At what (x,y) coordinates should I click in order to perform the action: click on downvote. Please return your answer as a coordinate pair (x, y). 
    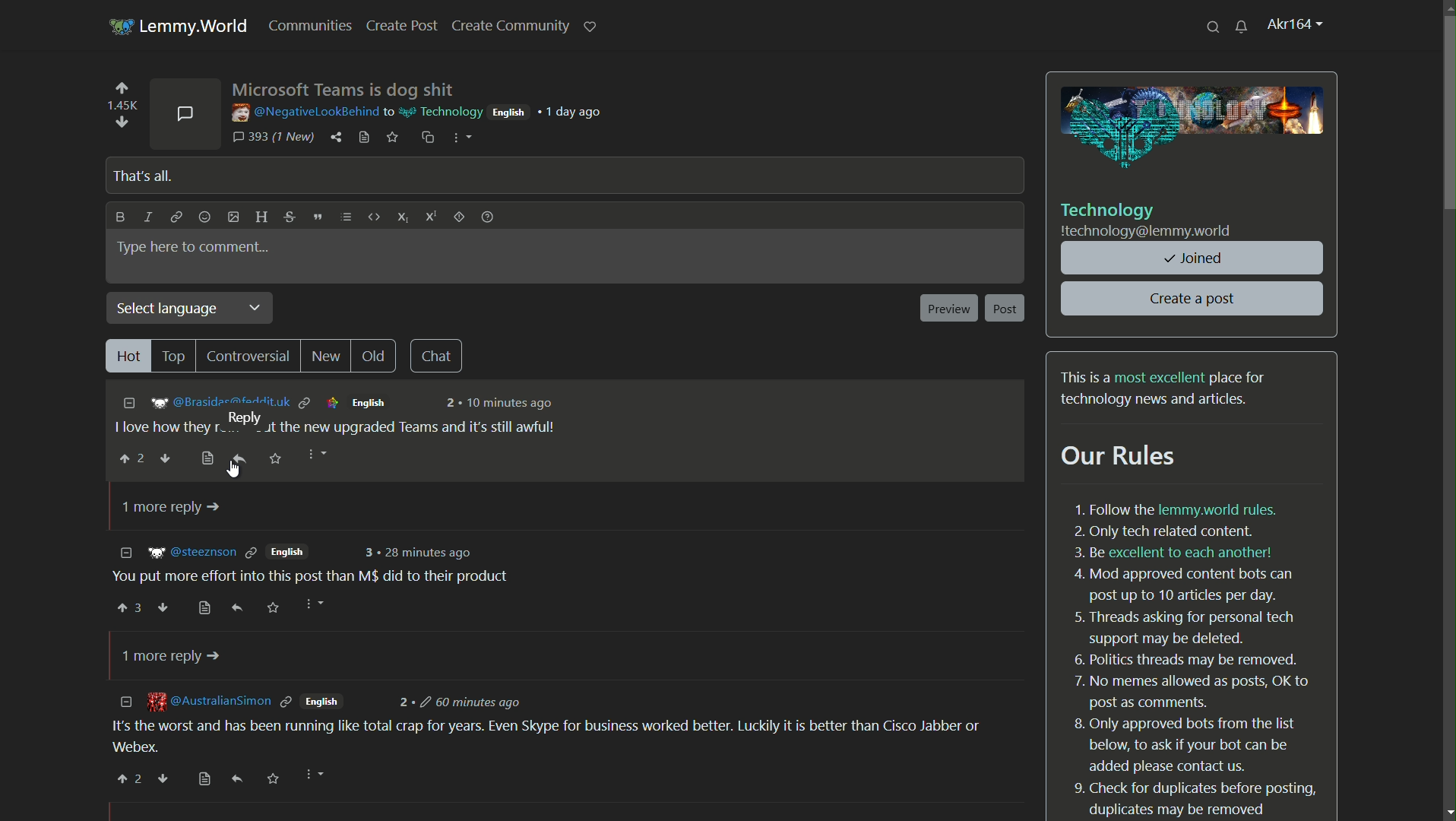
    Looking at the image, I should click on (120, 122).